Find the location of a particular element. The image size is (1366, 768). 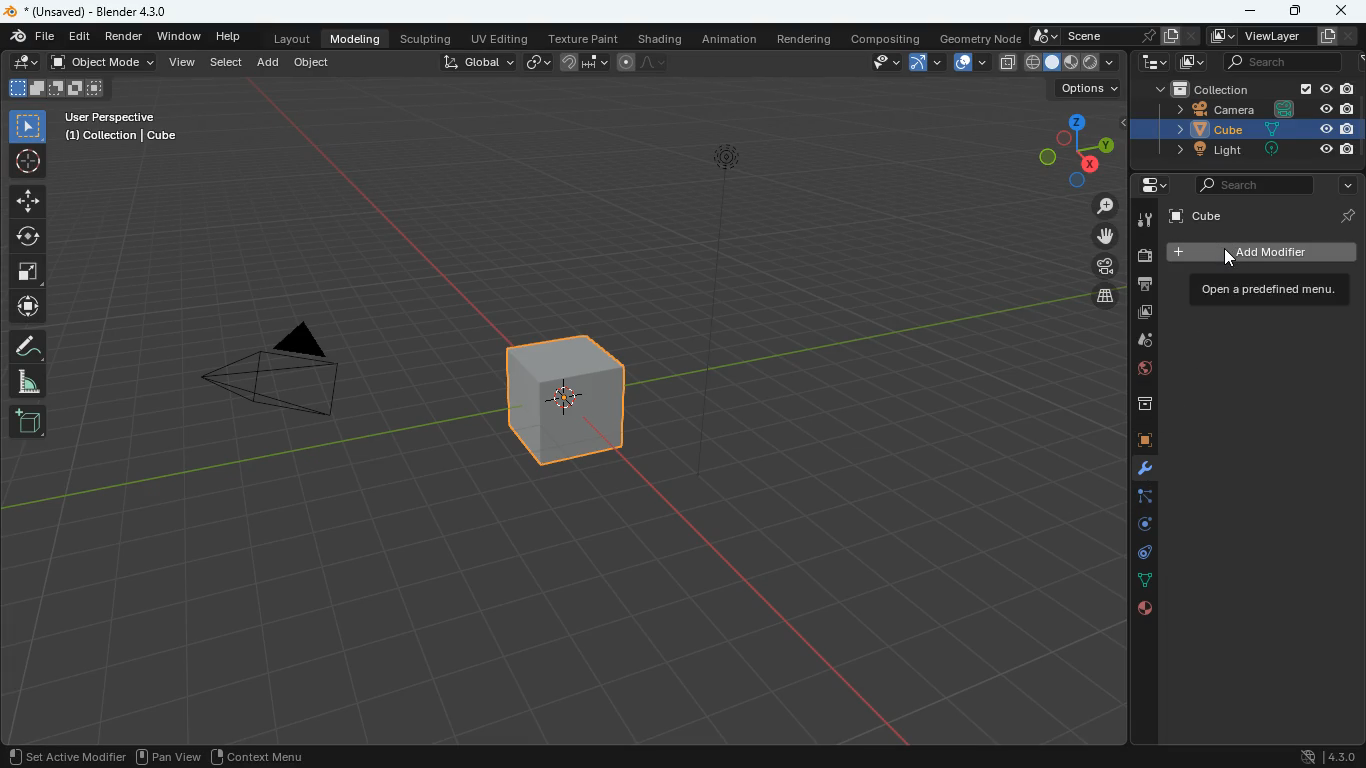

view is located at coordinates (872, 63).